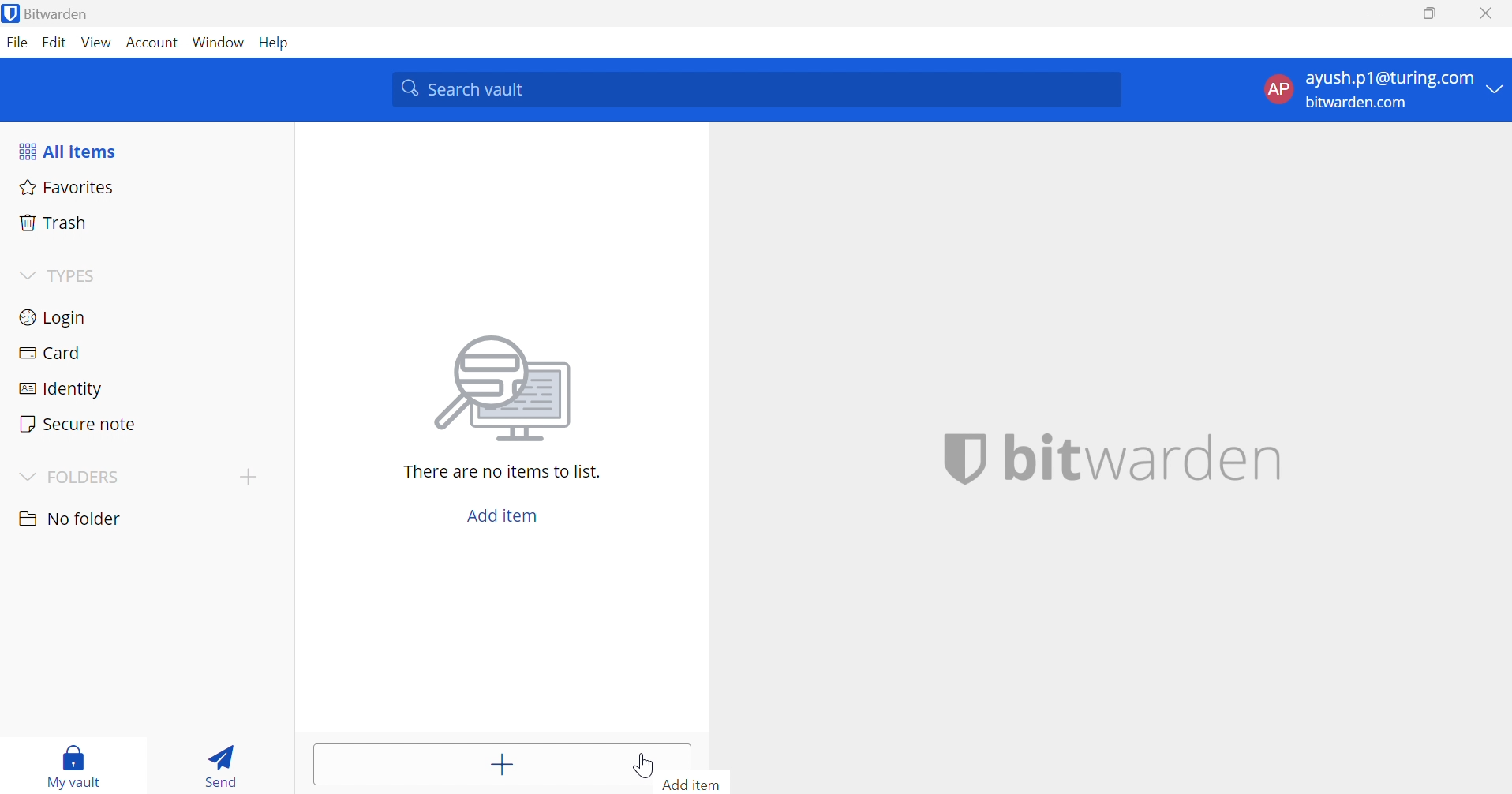 This screenshot has height=794, width=1512. I want to click on Drop Down, so click(1496, 90).